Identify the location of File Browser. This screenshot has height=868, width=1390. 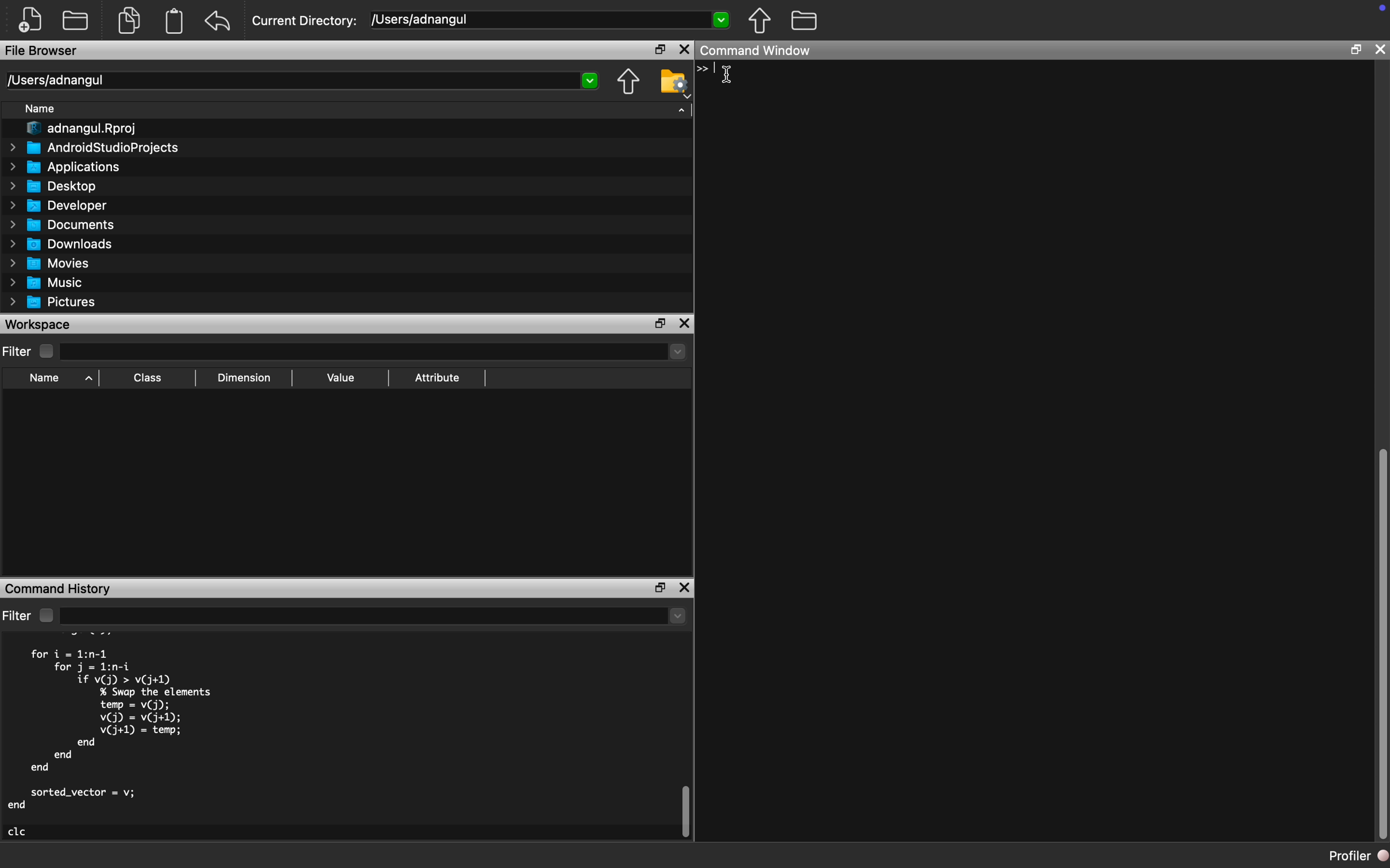
(45, 51).